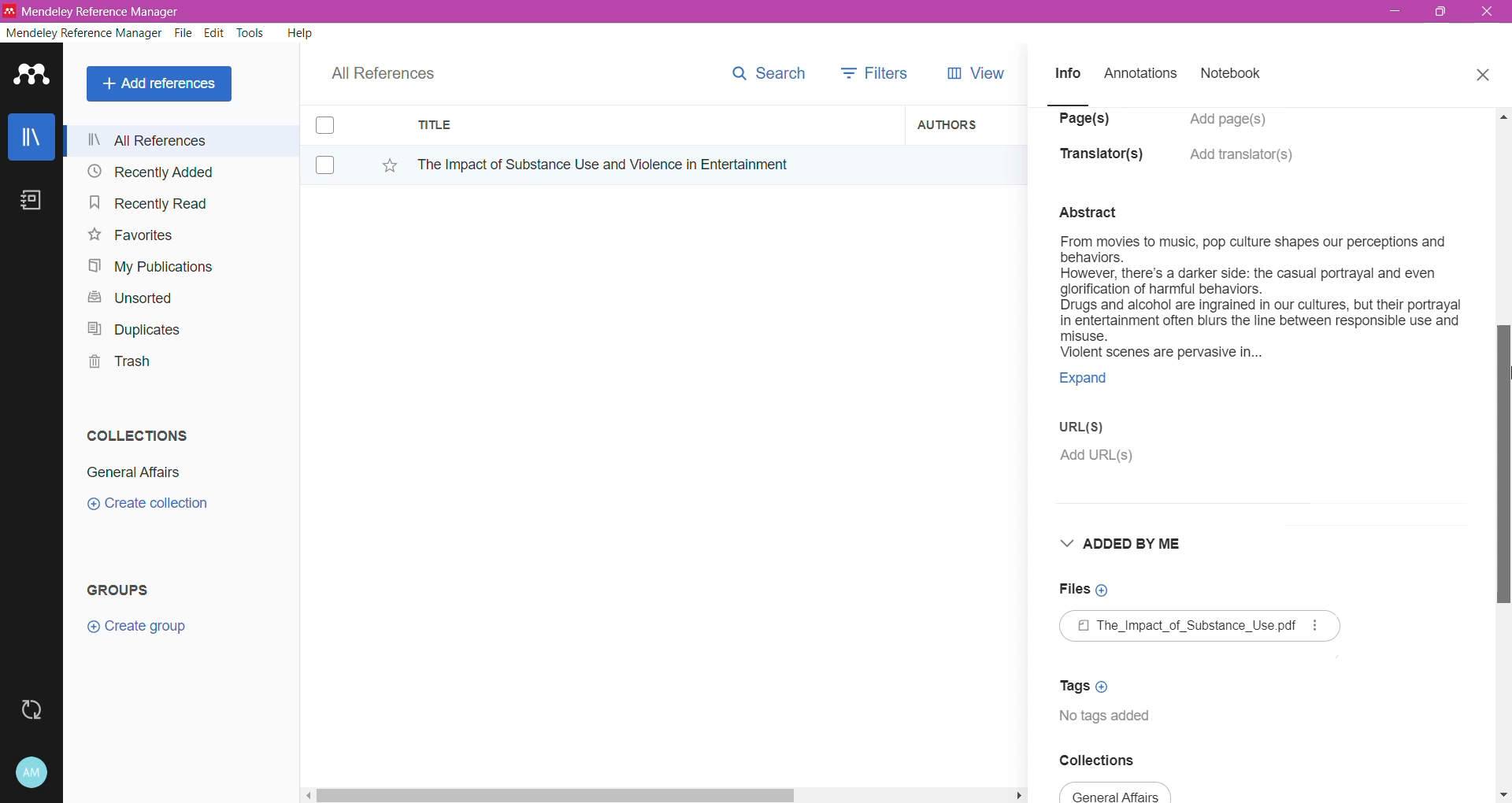  I want to click on Info, so click(1067, 72).